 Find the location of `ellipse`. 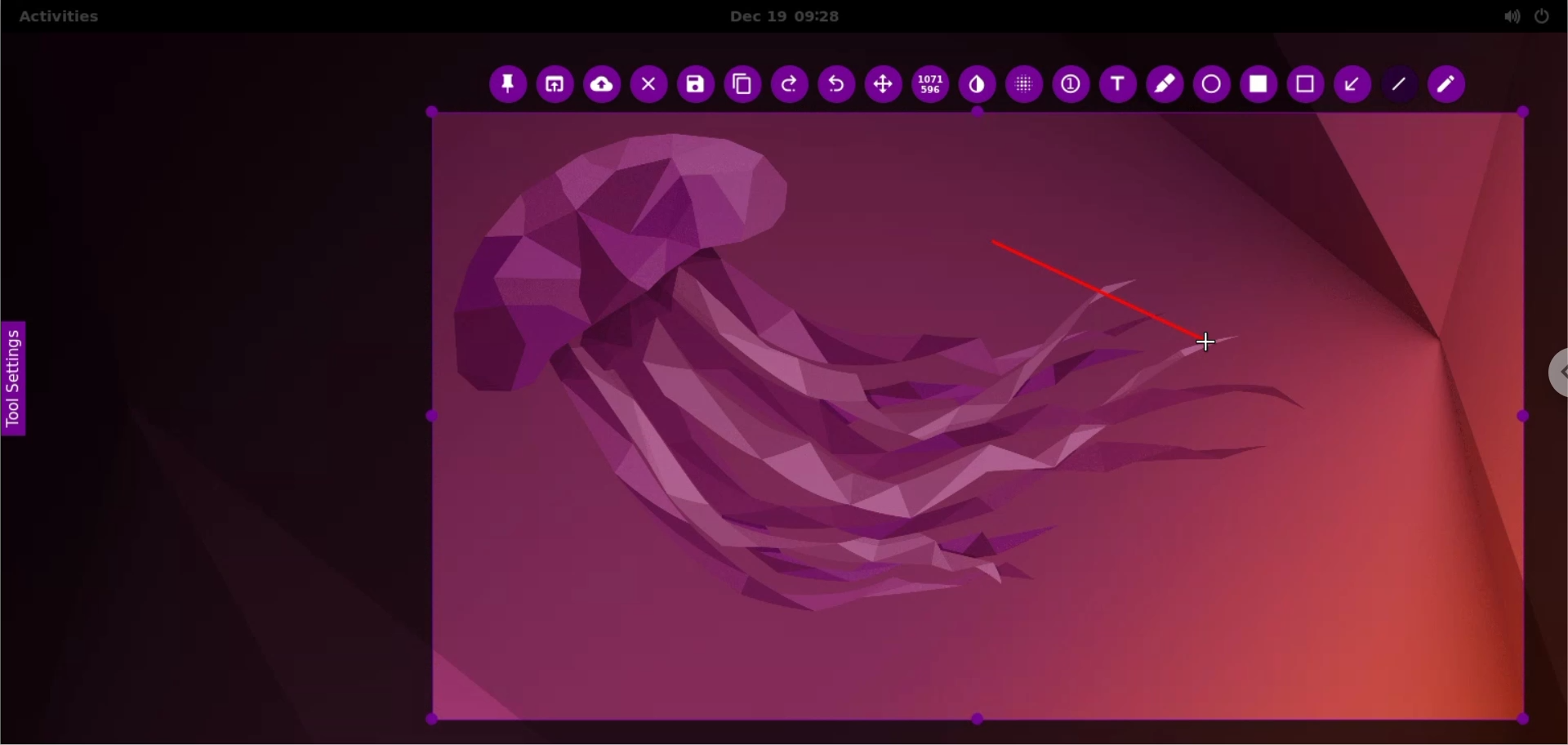

ellipse is located at coordinates (1212, 85).